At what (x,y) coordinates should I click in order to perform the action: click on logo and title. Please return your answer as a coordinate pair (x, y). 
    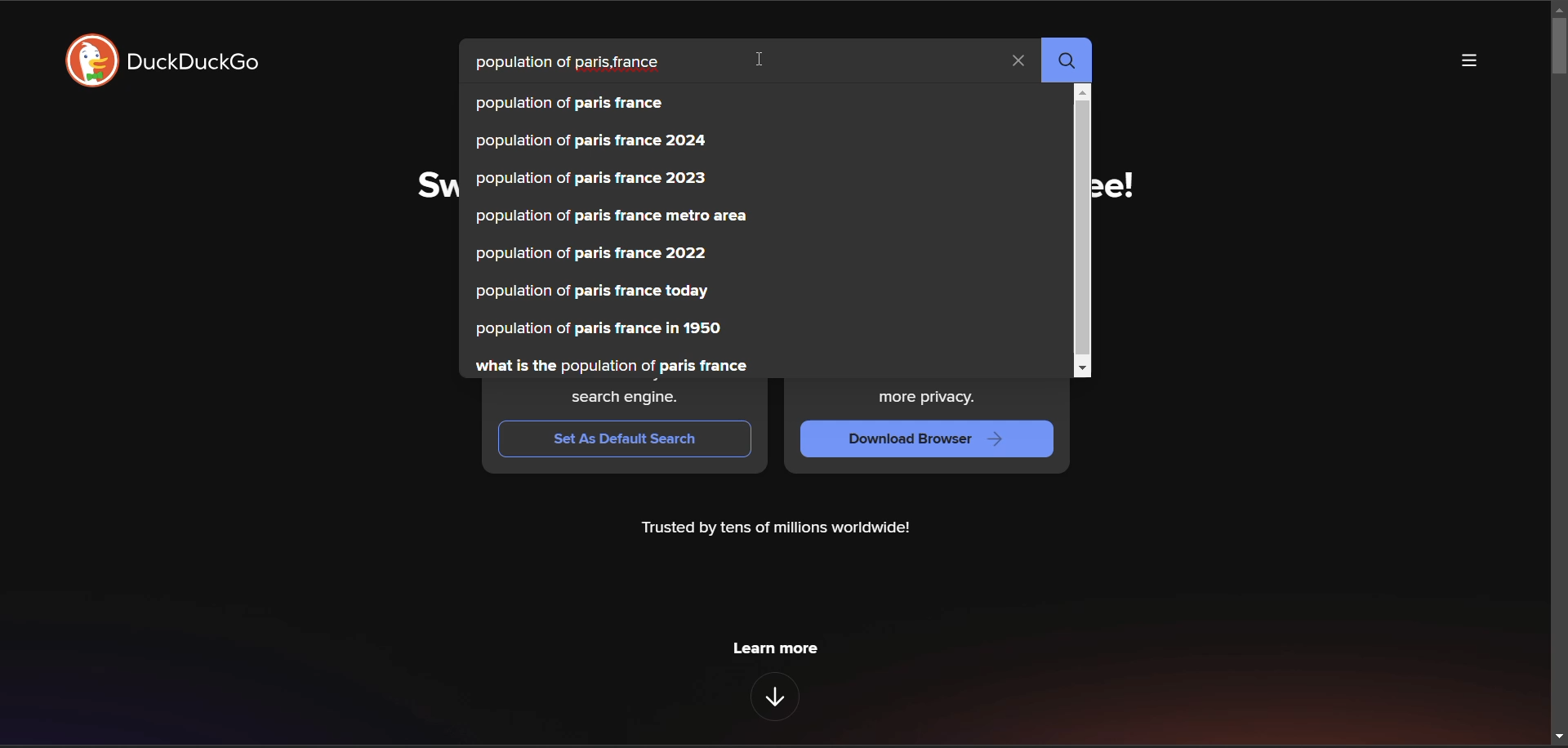
    Looking at the image, I should click on (163, 60).